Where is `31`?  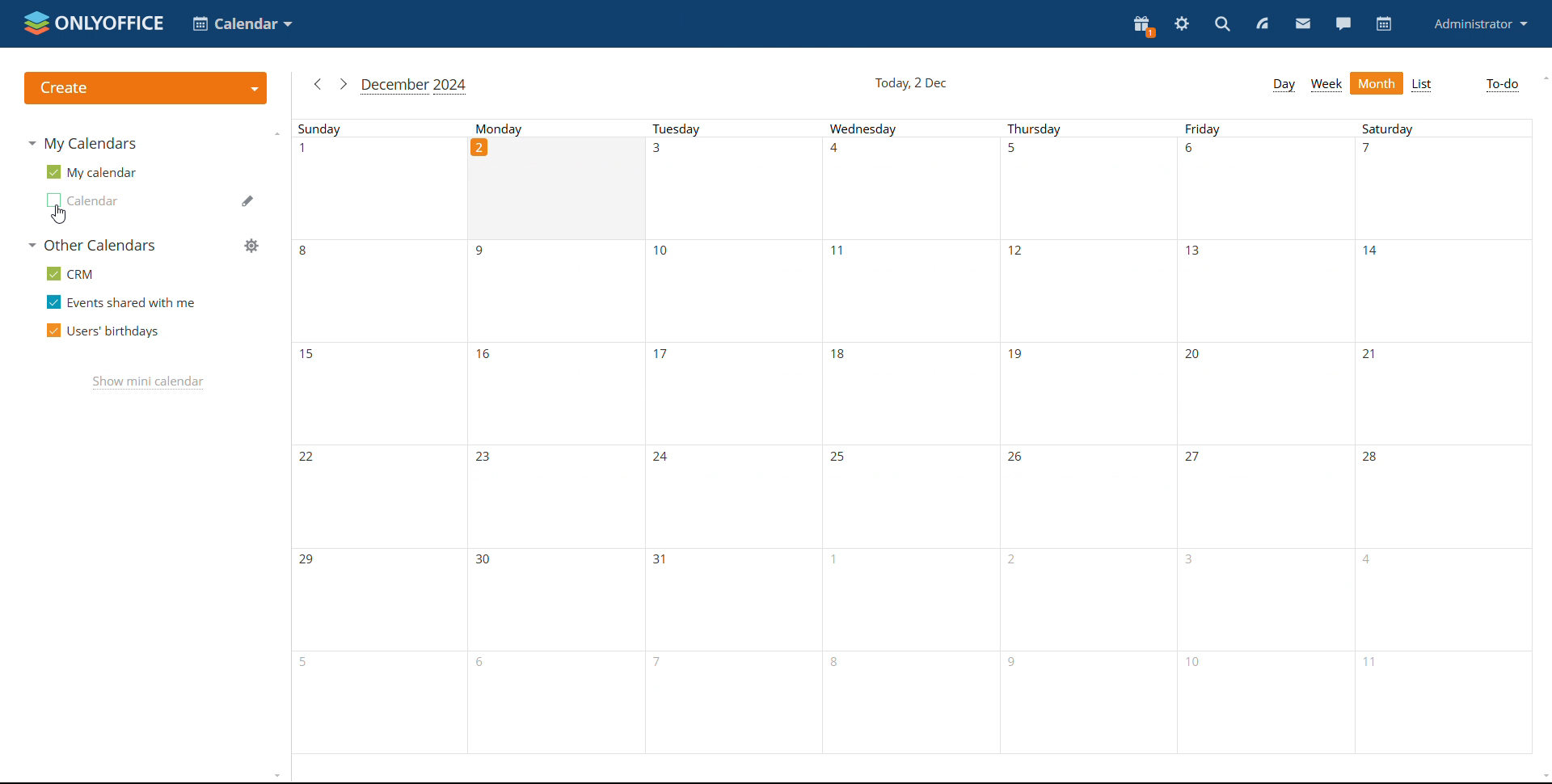 31 is located at coordinates (730, 602).